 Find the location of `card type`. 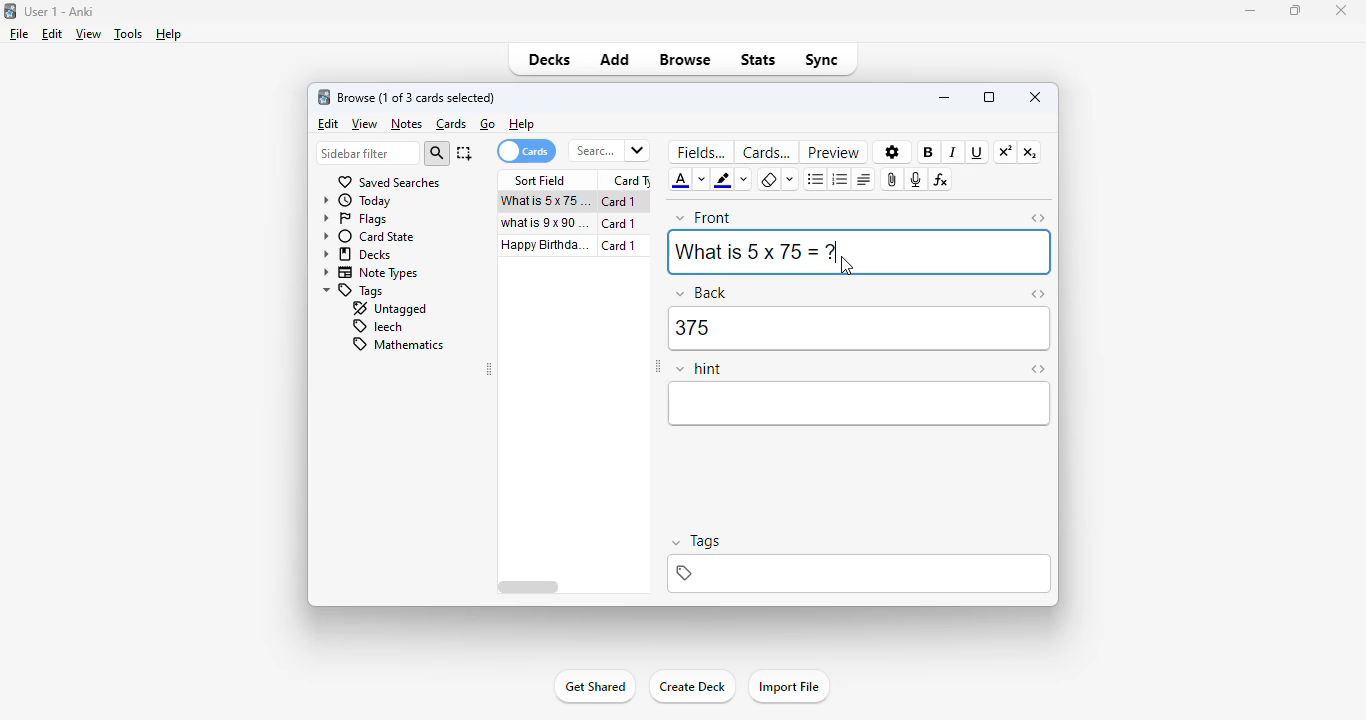

card type is located at coordinates (630, 179).